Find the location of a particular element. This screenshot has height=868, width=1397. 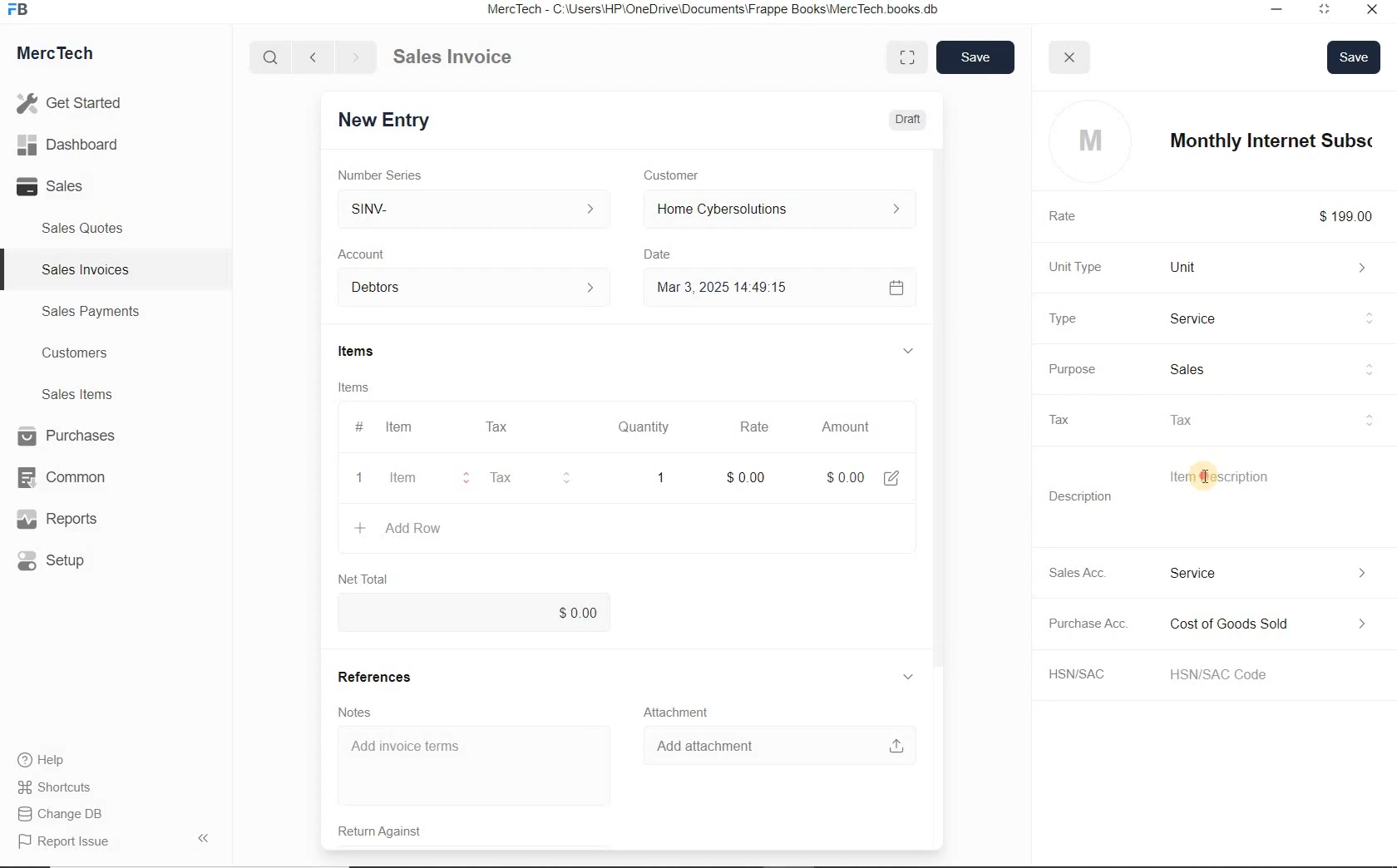

Purchases is located at coordinates (69, 437).